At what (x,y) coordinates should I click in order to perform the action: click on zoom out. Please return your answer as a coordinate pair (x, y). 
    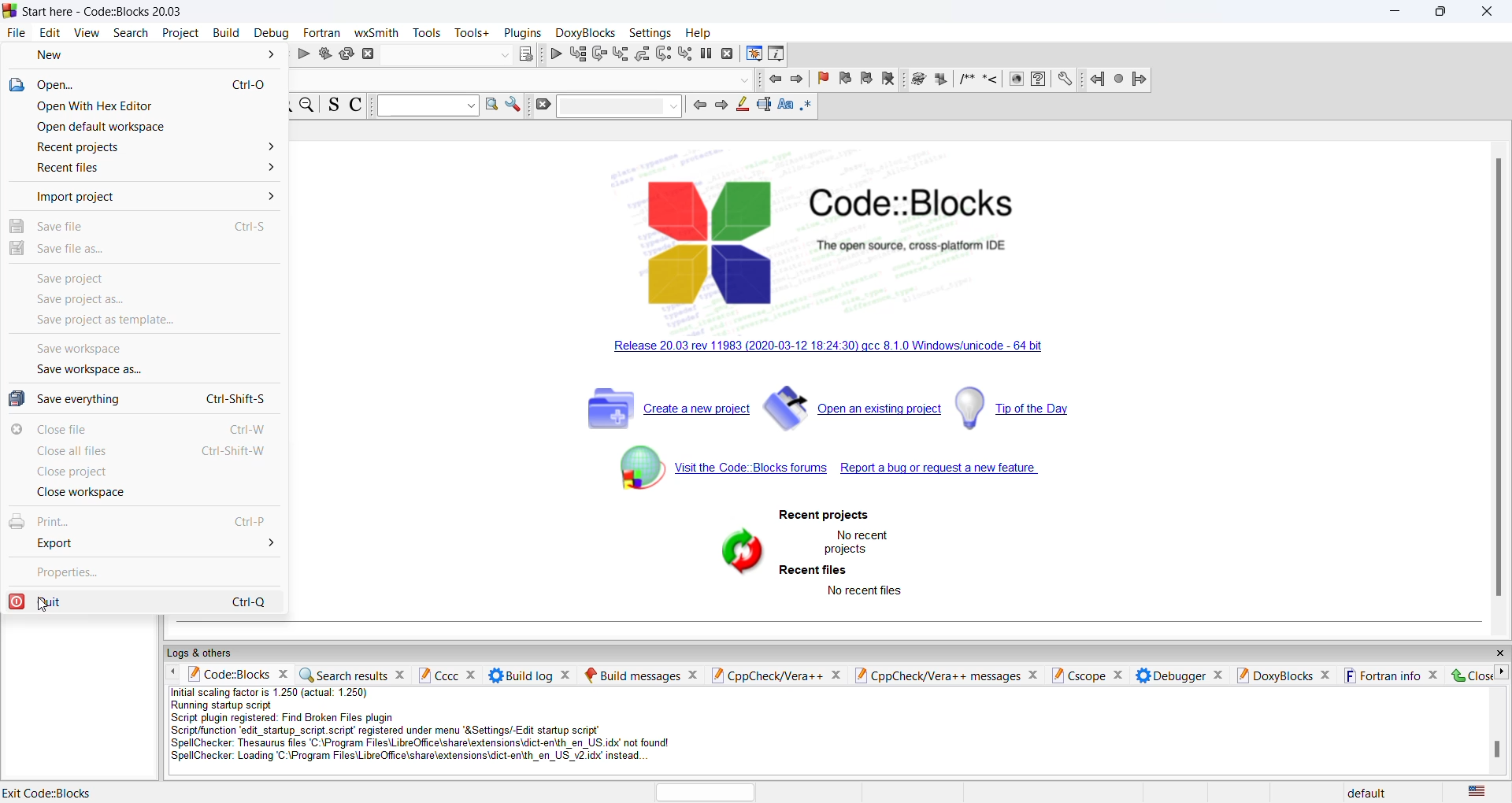
    Looking at the image, I should click on (309, 105).